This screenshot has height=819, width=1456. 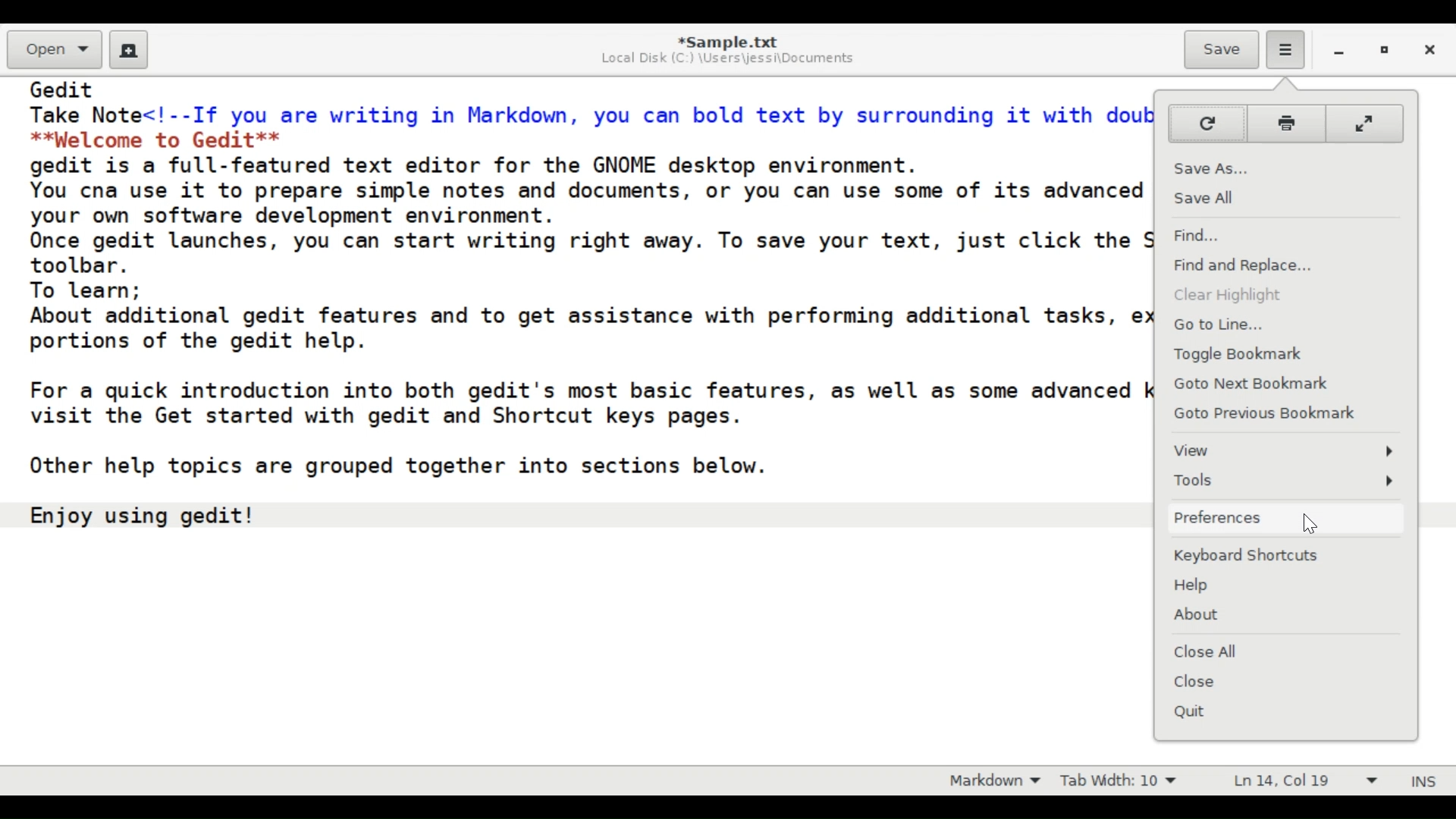 What do you see at coordinates (729, 40) in the screenshot?
I see `*Sample.txt` at bounding box center [729, 40].